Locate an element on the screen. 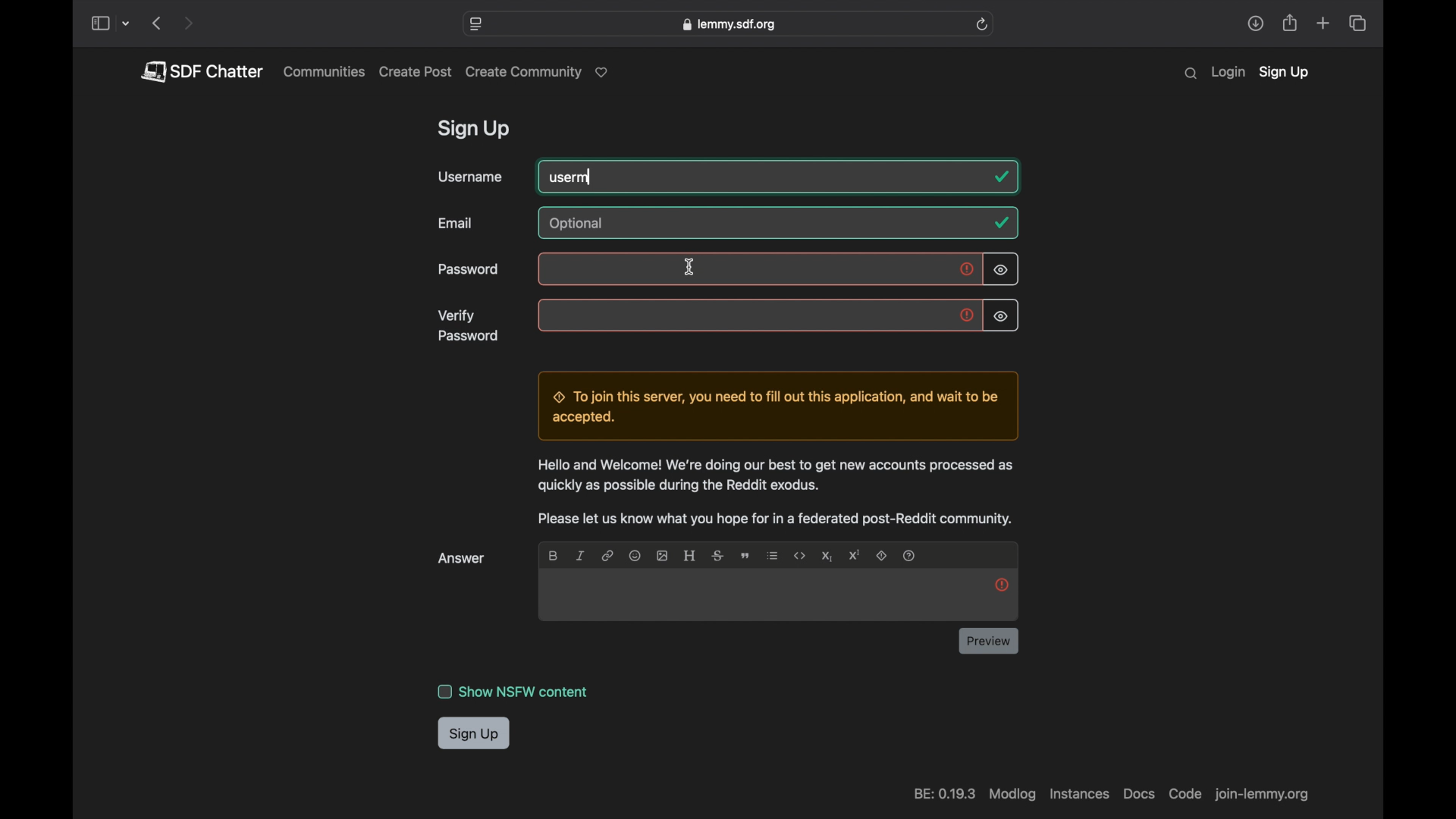 The image size is (1456, 819). image is located at coordinates (661, 555).